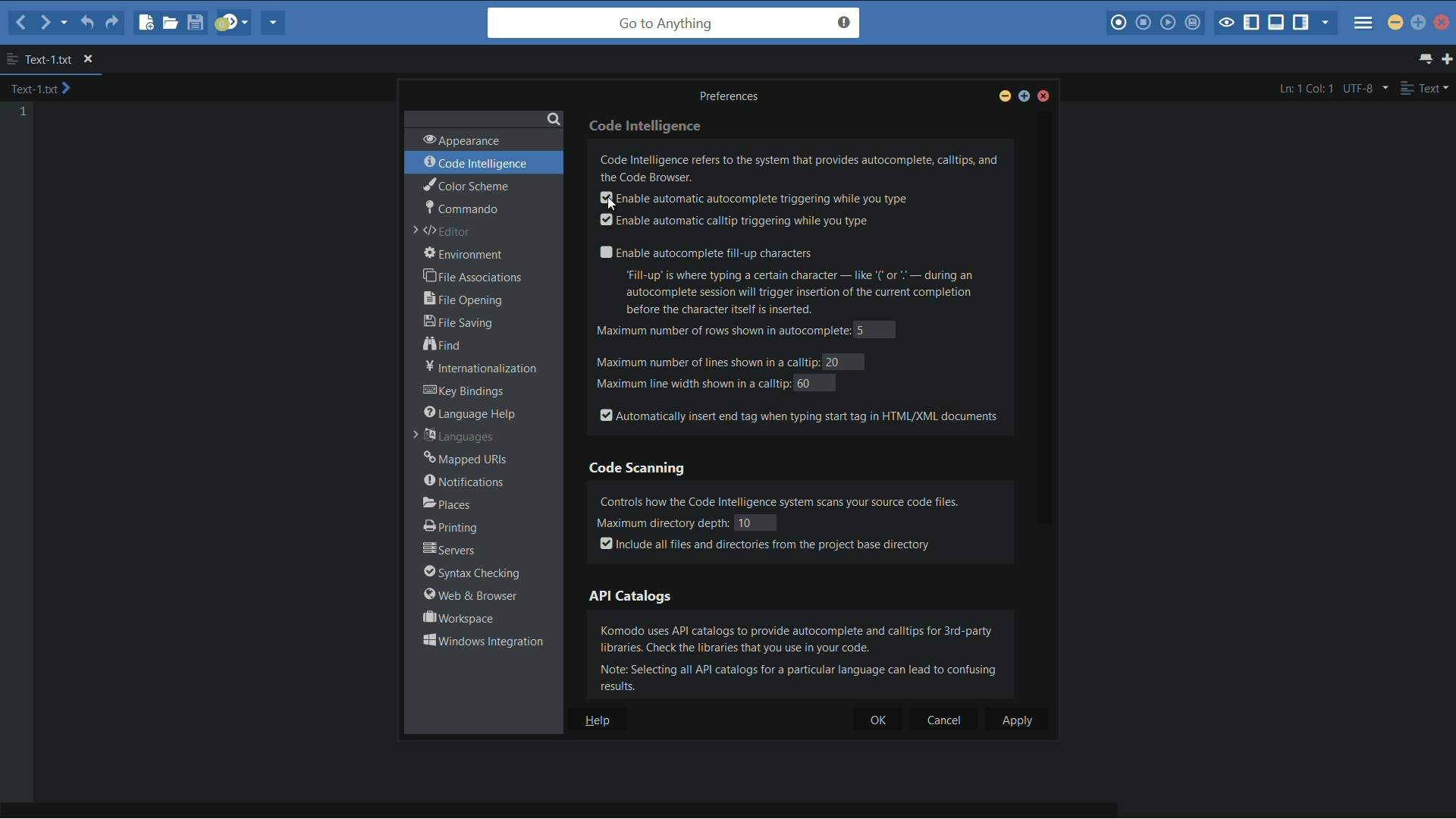  What do you see at coordinates (735, 96) in the screenshot?
I see `Preferences` at bounding box center [735, 96].